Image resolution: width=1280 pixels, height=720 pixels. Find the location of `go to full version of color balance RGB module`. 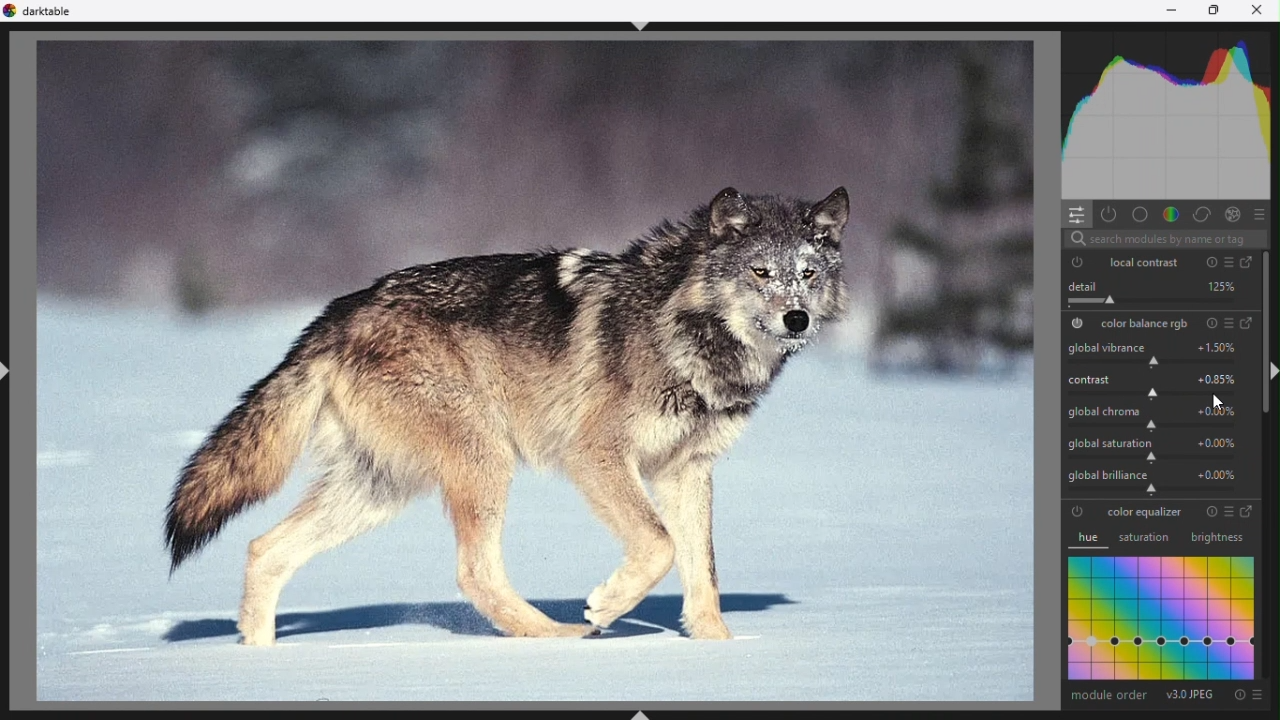

go to full version of color balance RGB module is located at coordinates (1249, 324).